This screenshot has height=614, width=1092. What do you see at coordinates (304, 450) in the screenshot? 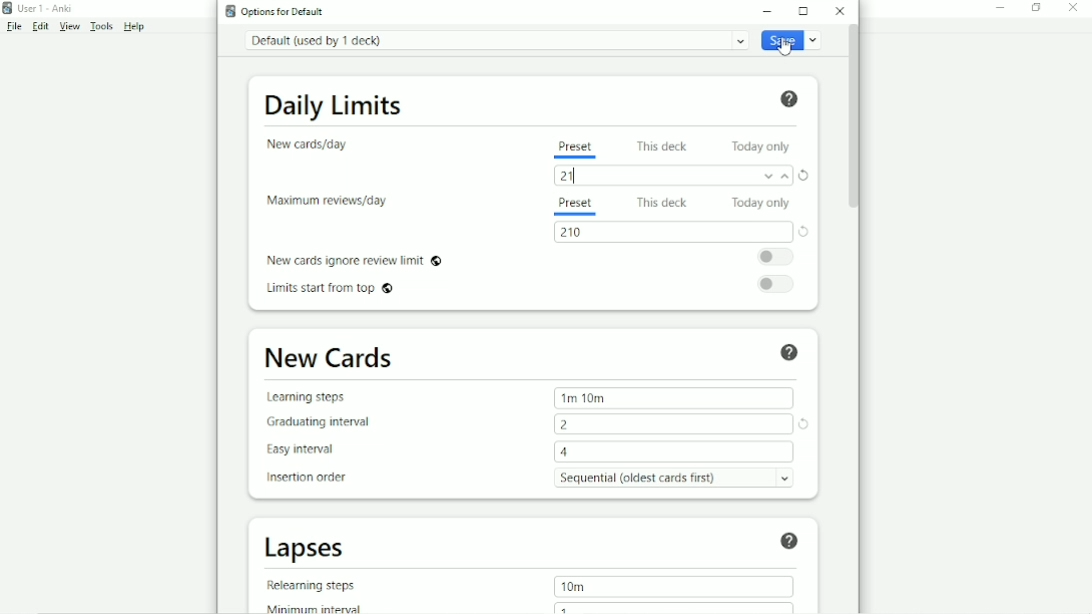
I see `Easy interval` at bounding box center [304, 450].